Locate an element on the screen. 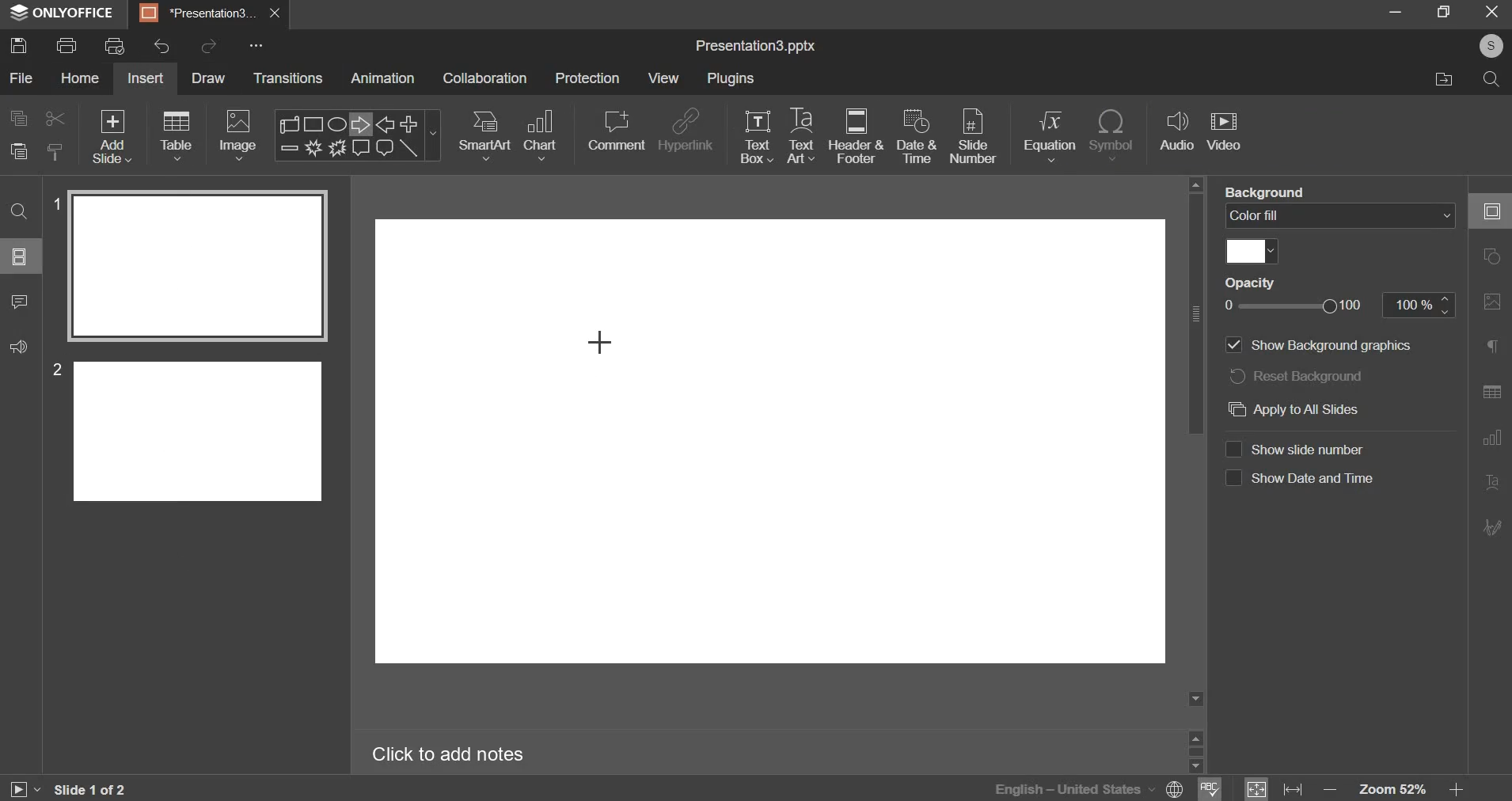 The height and width of the screenshot is (801, 1512). vertical scrollbar is located at coordinates (1195, 313).